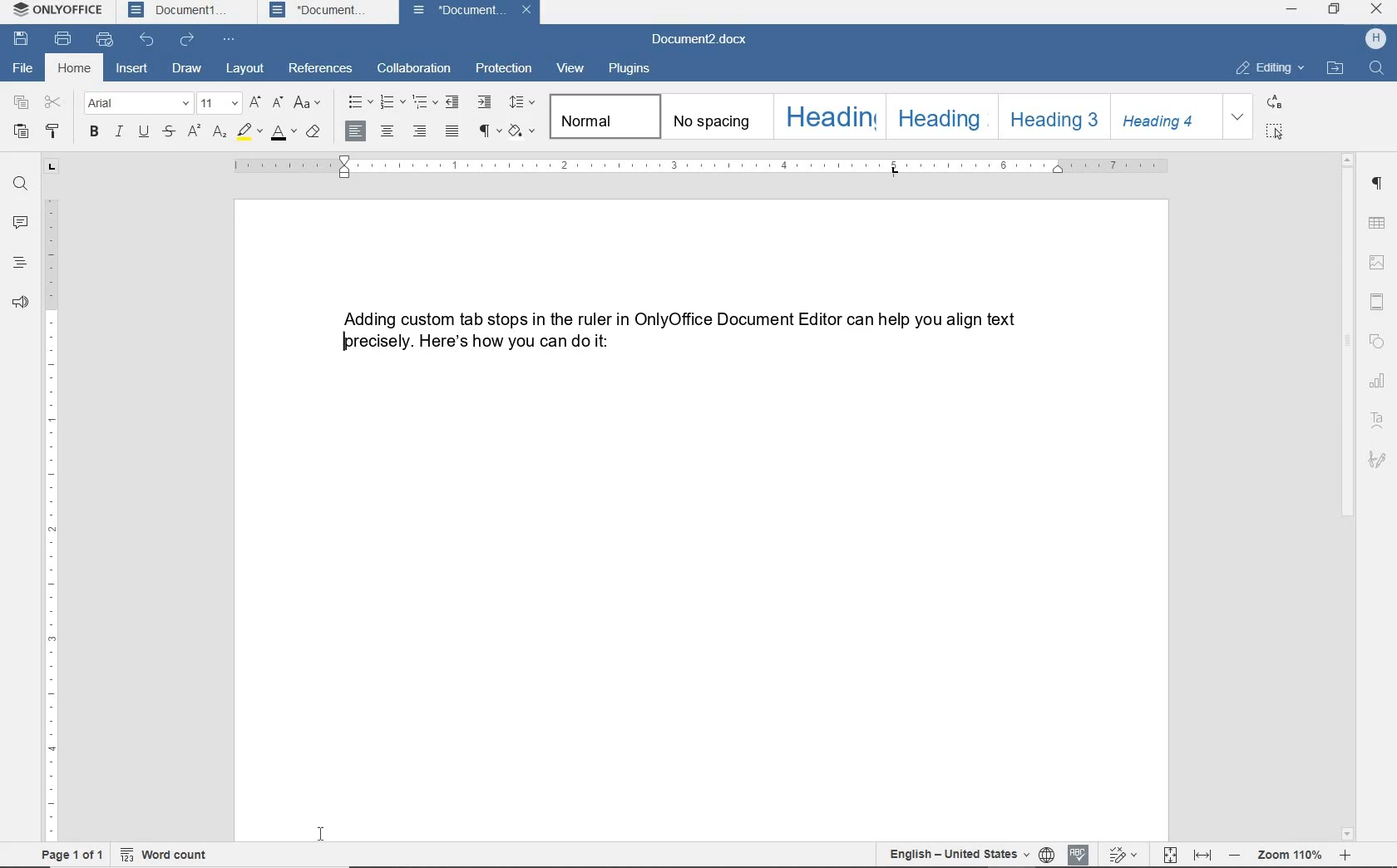  I want to click on italic, so click(120, 133).